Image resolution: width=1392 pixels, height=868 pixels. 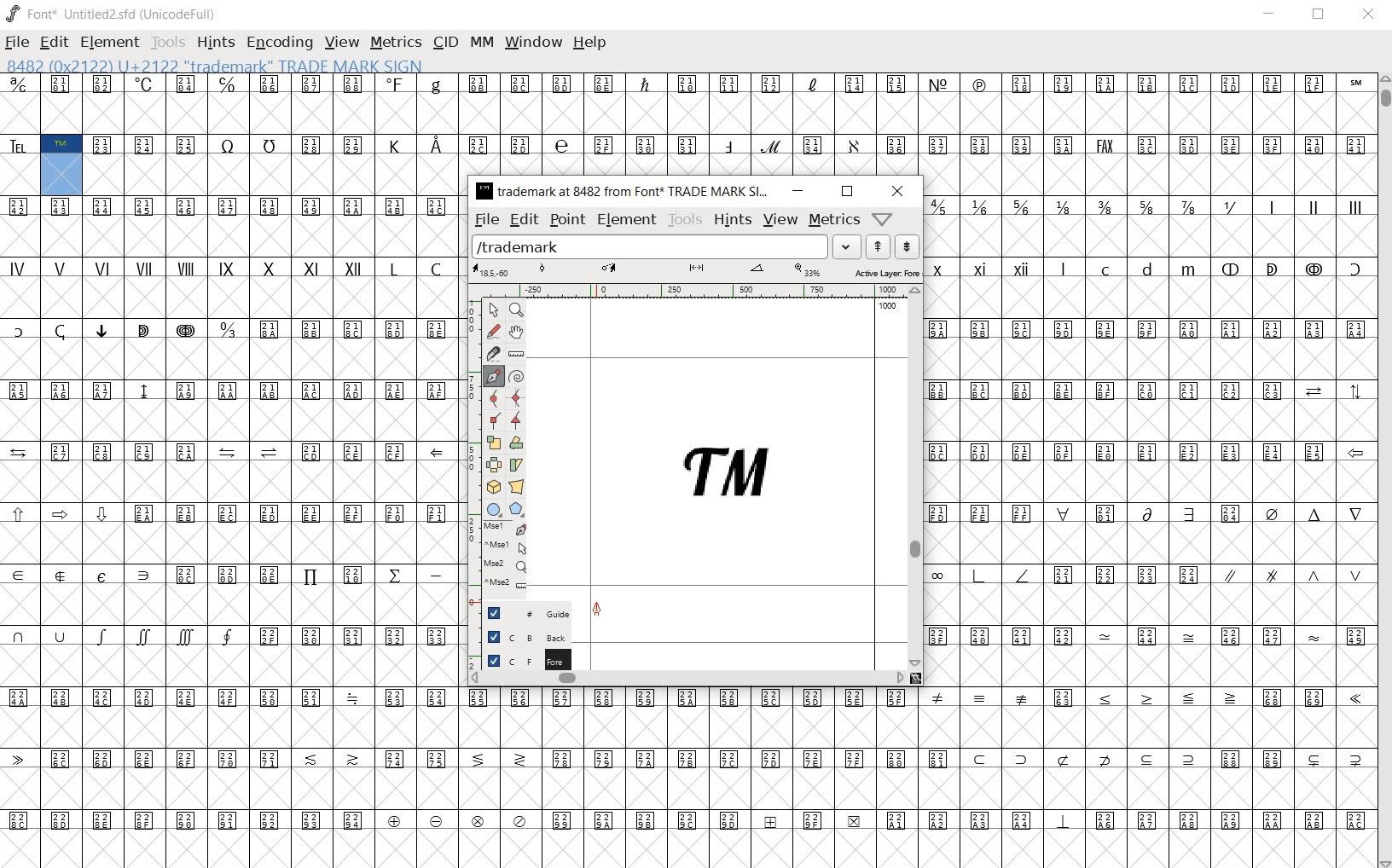 What do you see at coordinates (883, 217) in the screenshot?
I see `Help/Window` at bounding box center [883, 217].